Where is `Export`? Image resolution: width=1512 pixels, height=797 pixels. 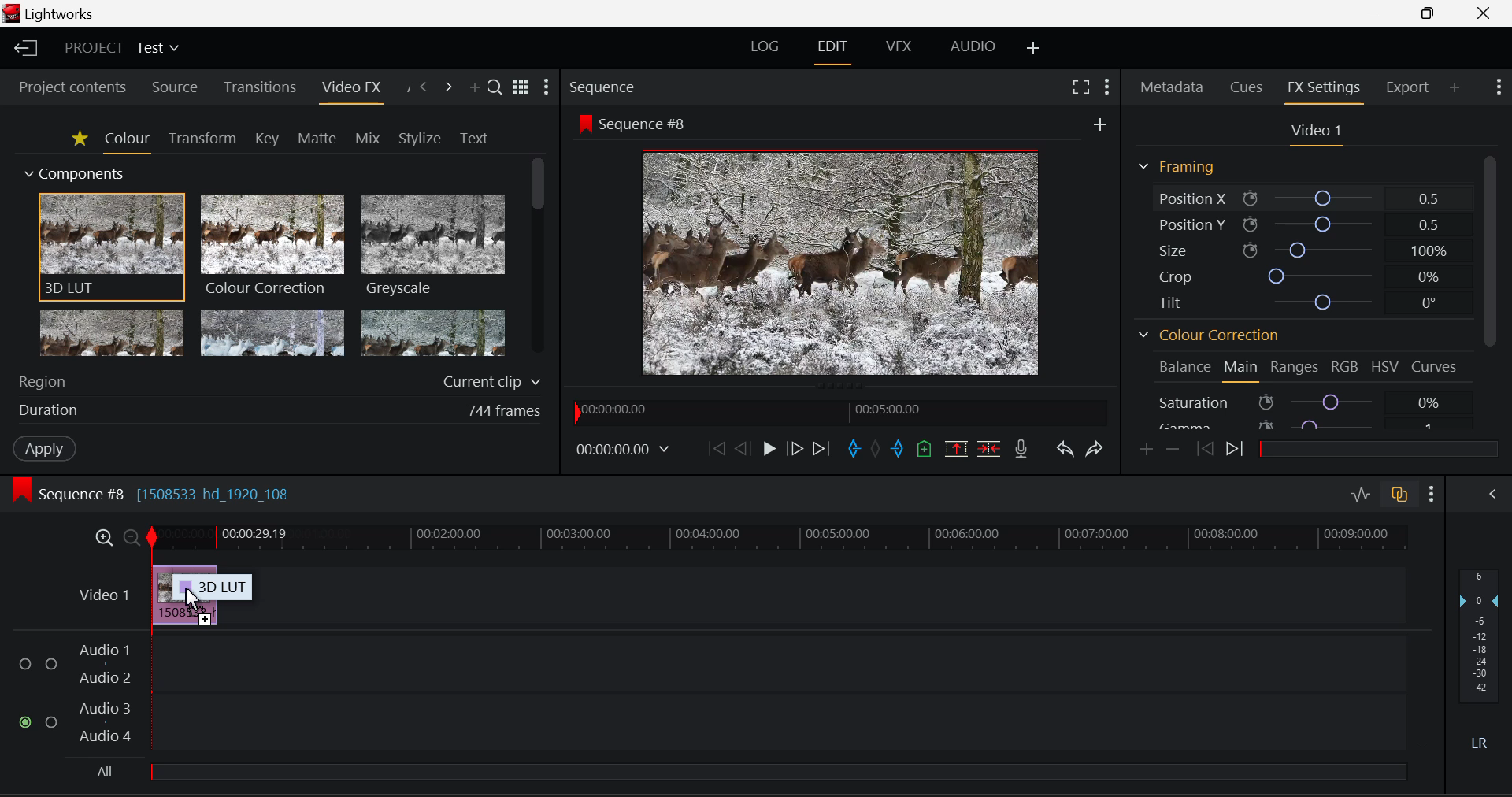 Export is located at coordinates (1405, 90).